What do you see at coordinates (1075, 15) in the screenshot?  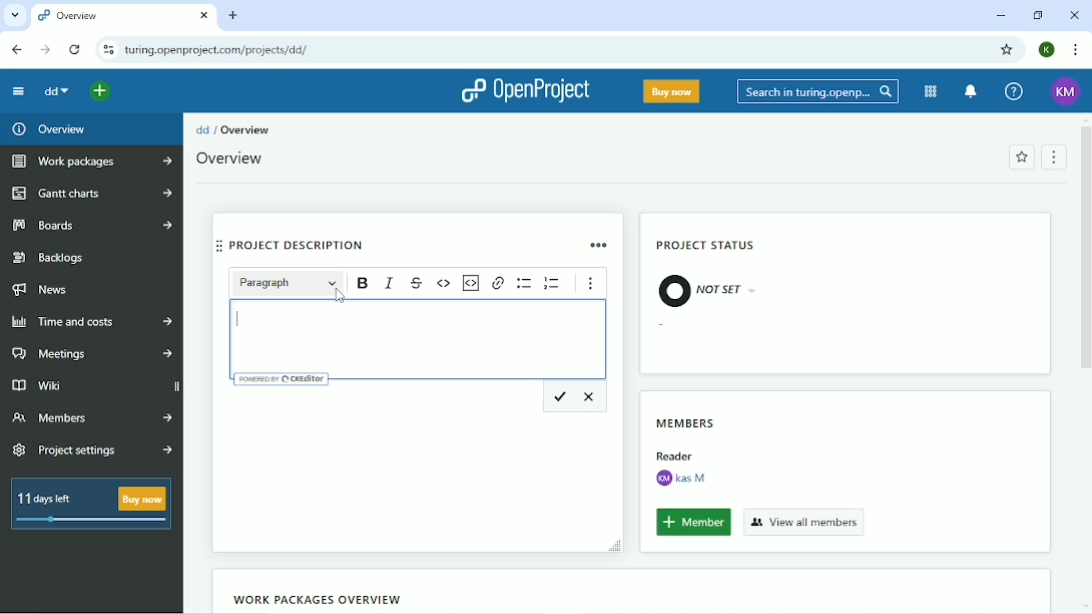 I see `Close` at bounding box center [1075, 15].